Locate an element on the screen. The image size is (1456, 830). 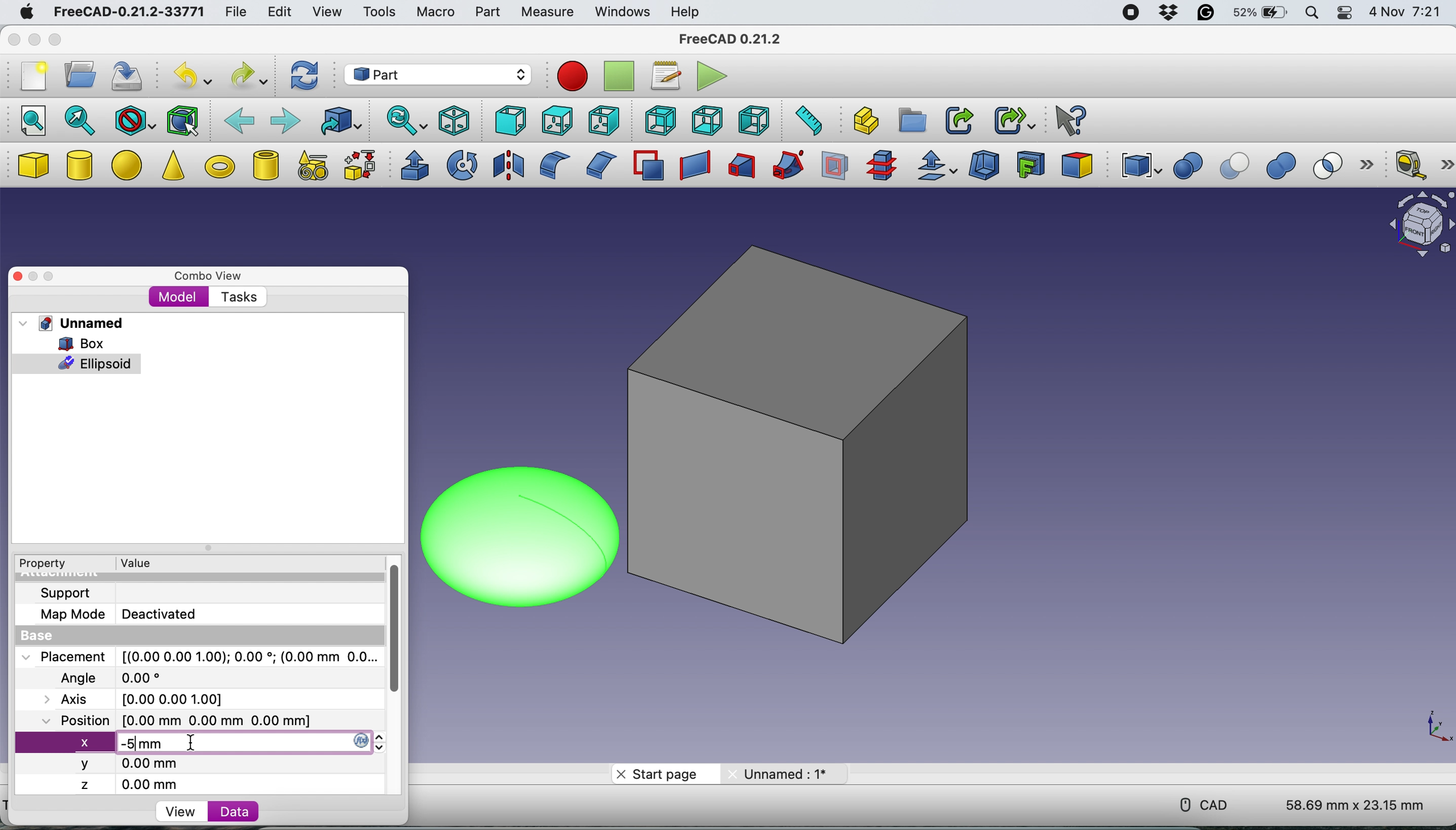
save is located at coordinates (129, 78).